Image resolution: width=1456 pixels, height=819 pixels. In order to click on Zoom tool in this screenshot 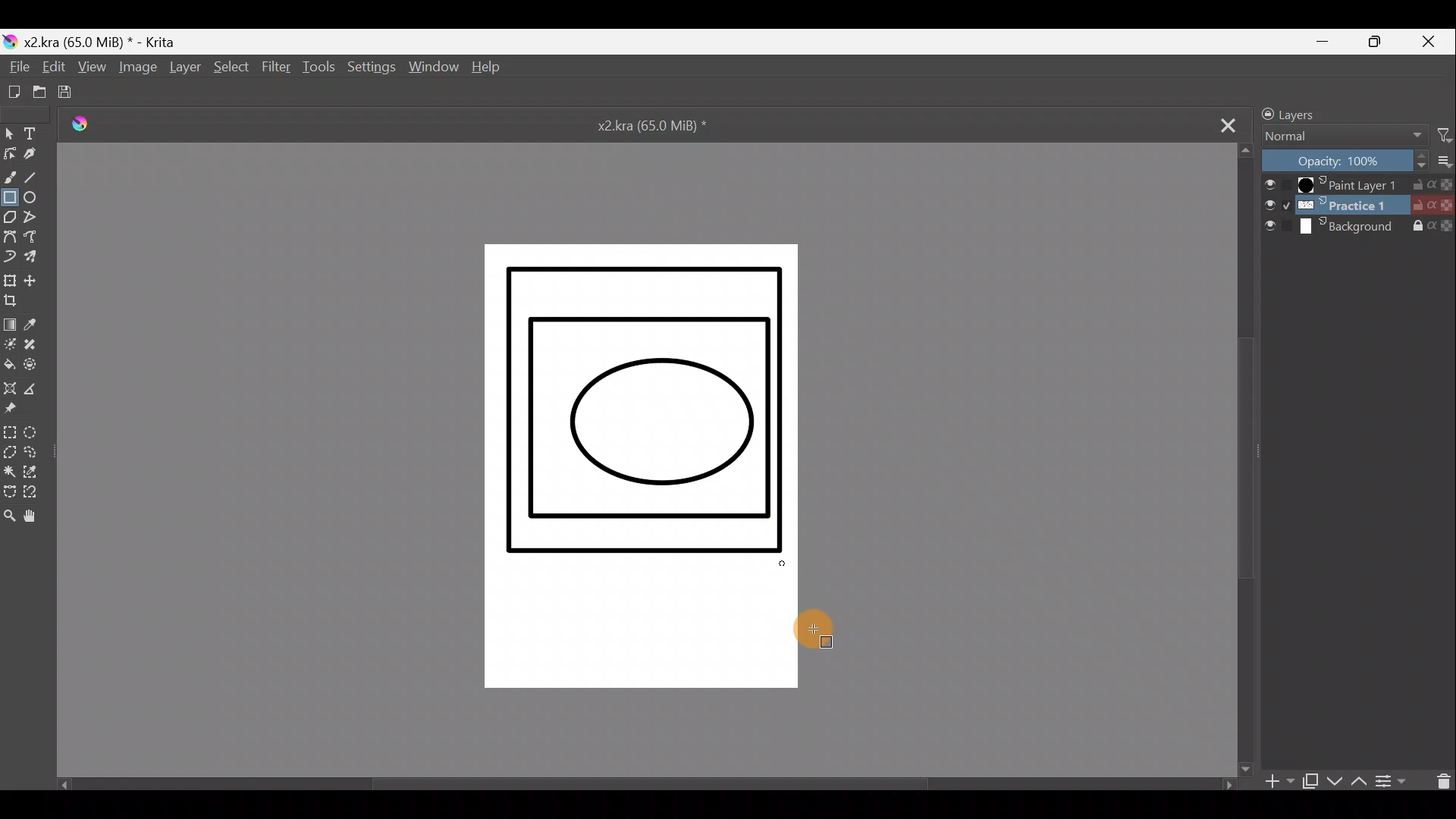, I will do `click(9, 513)`.